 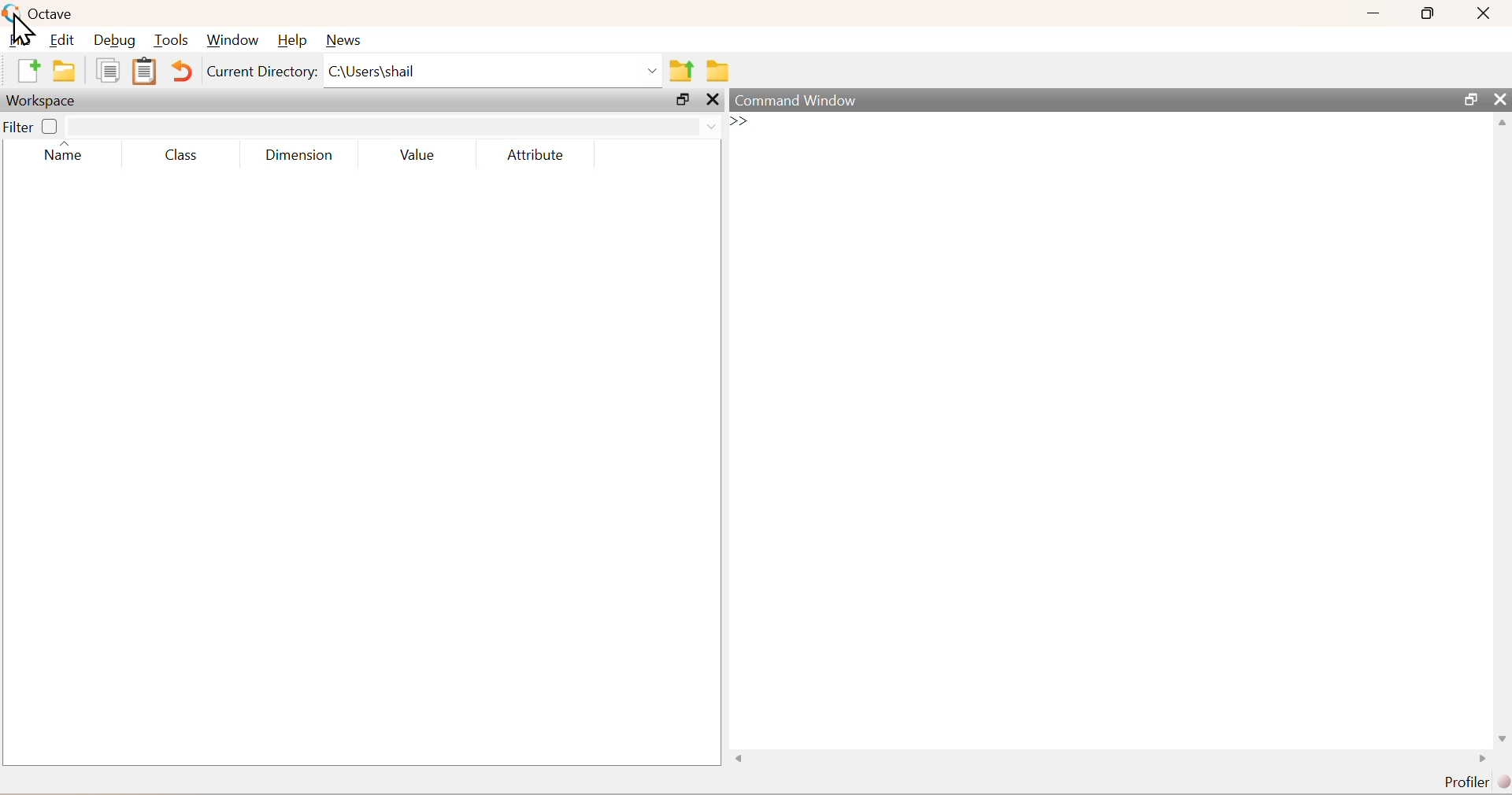 I want to click on parent directory, so click(x=682, y=70).